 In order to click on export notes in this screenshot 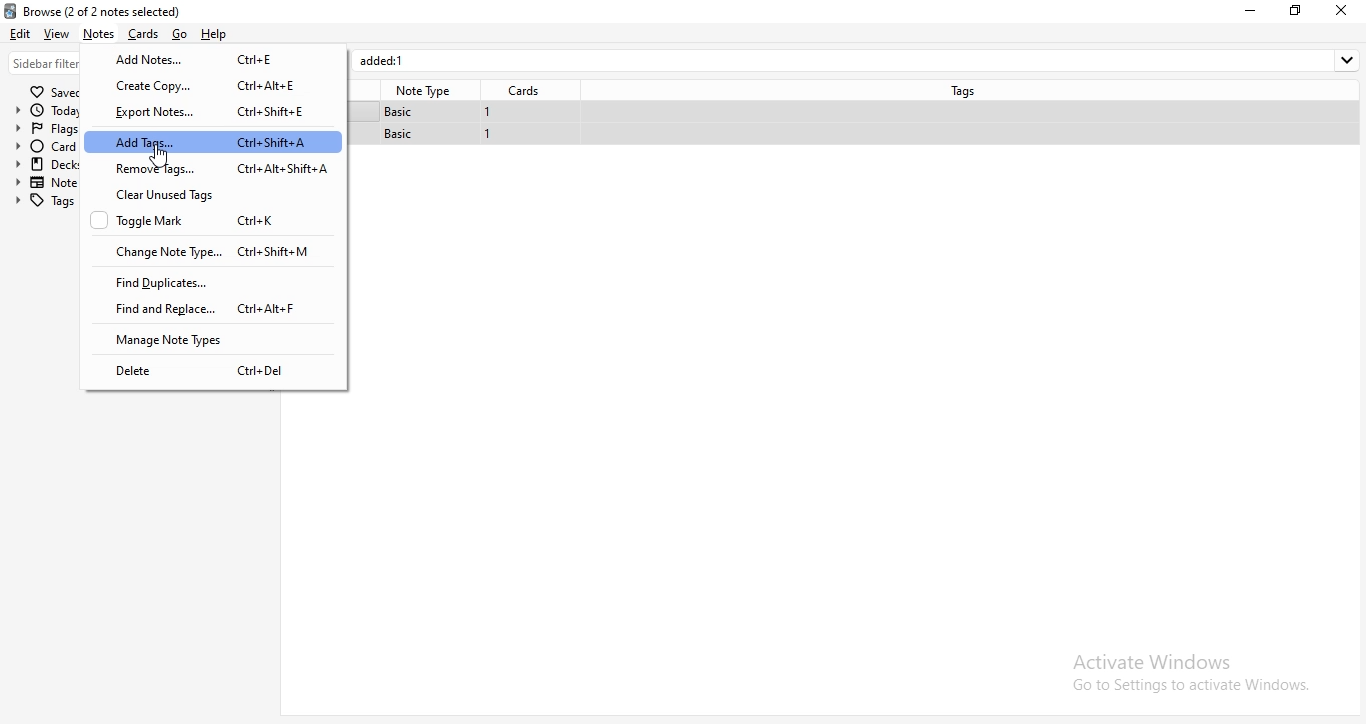, I will do `click(216, 109)`.